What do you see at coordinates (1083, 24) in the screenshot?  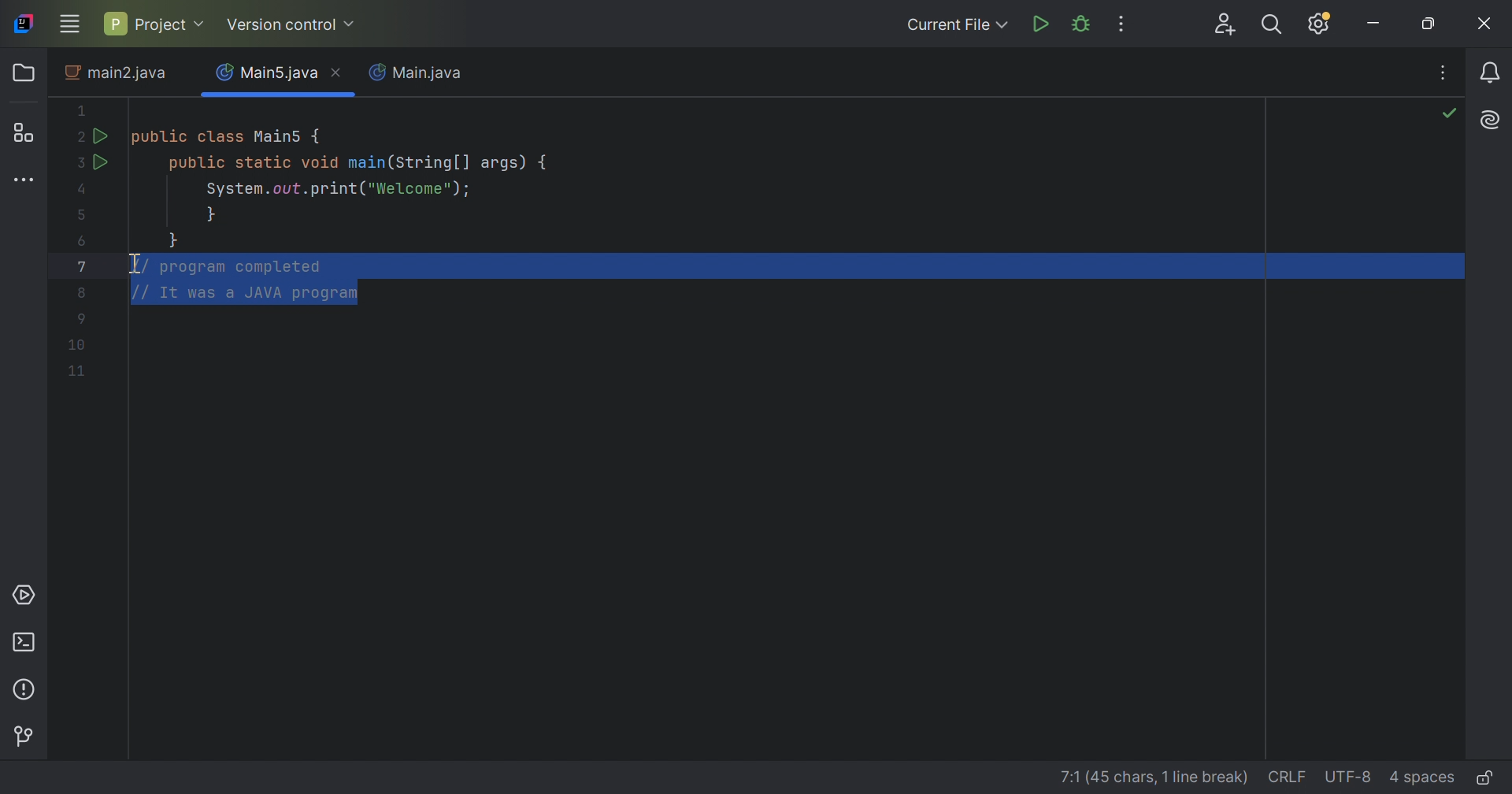 I see `Debug` at bounding box center [1083, 24].